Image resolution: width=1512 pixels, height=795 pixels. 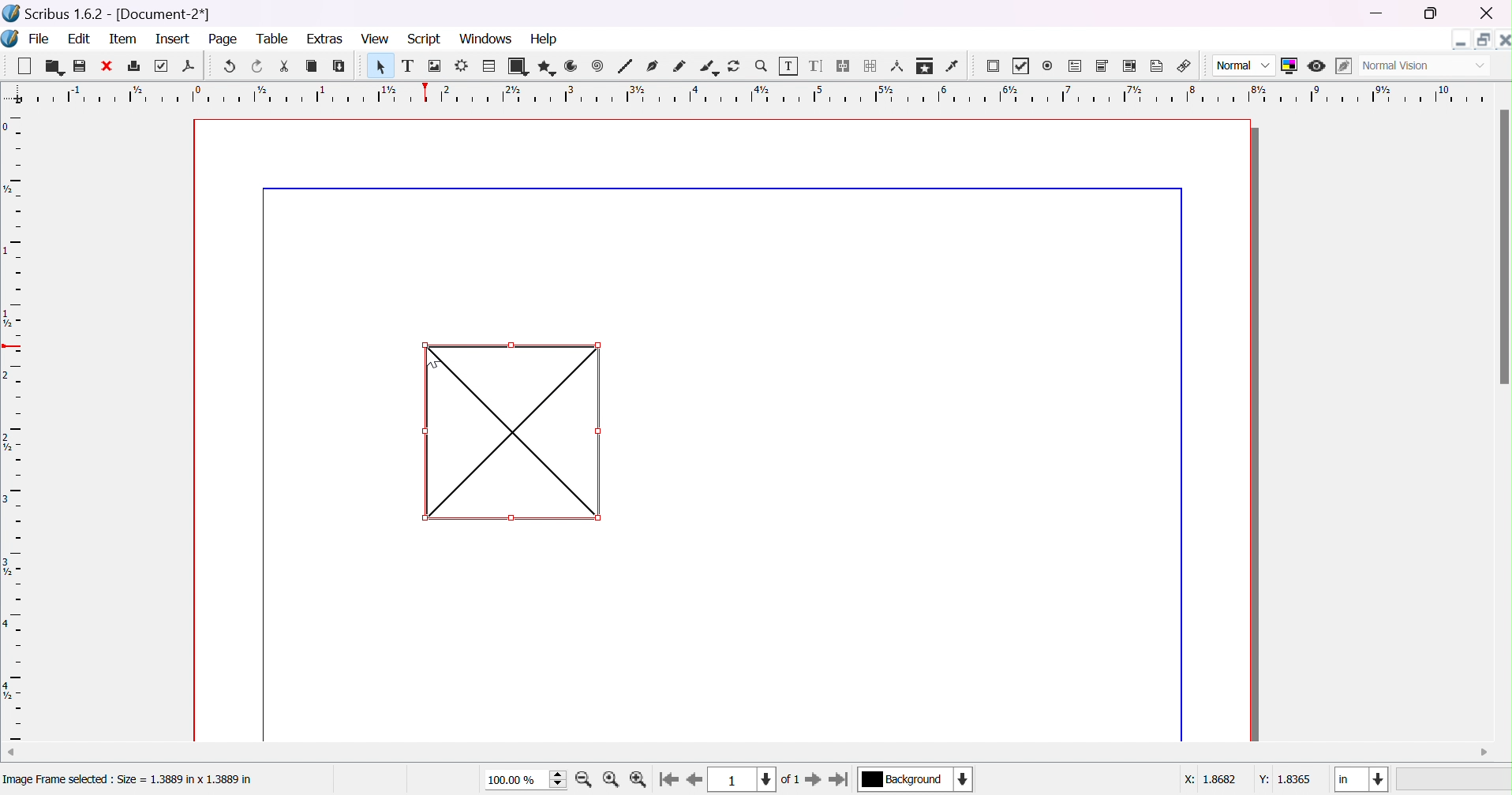 I want to click on view, so click(x=372, y=38).